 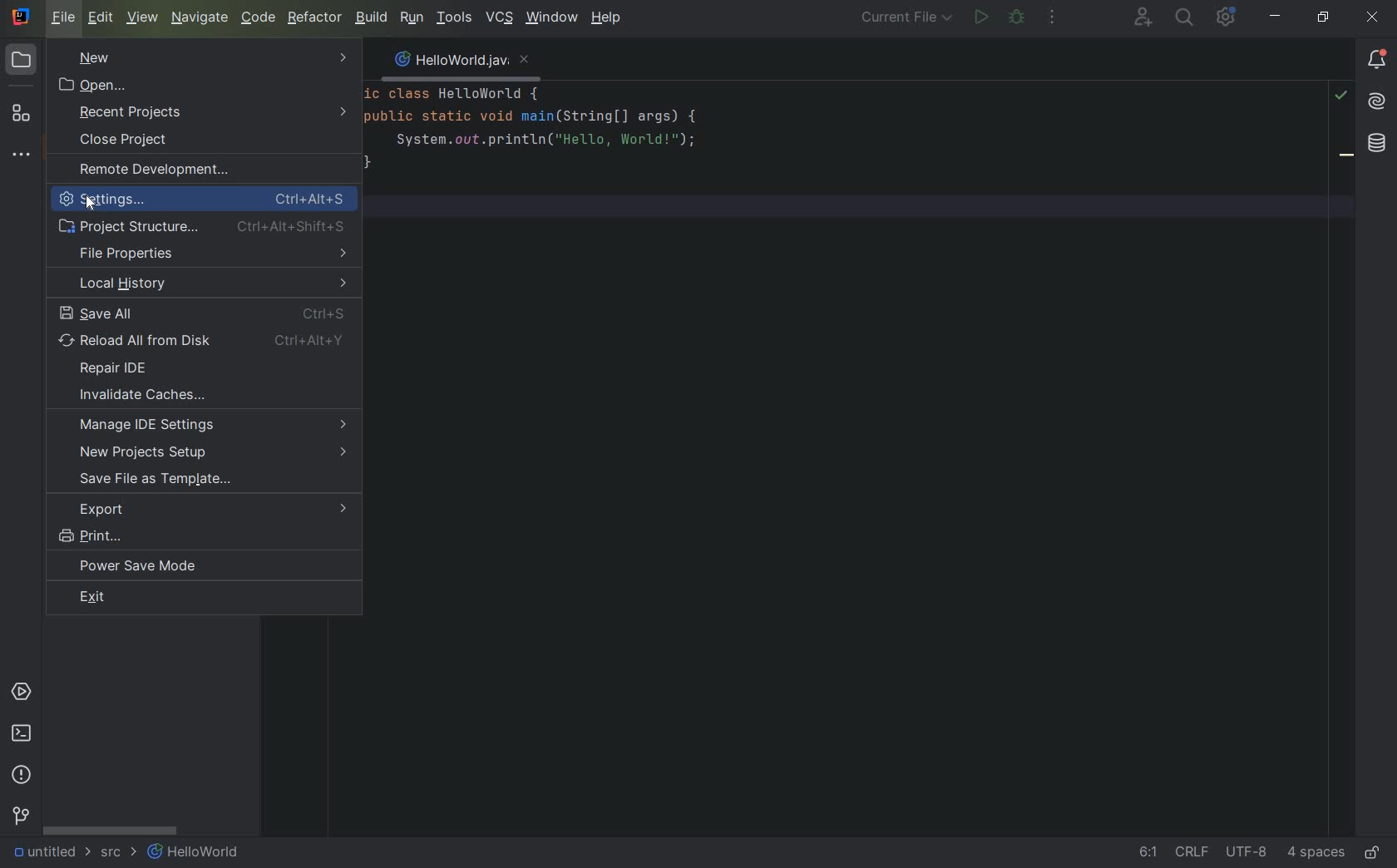 What do you see at coordinates (18, 816) in the screenshot?
I see `VERSION CONTROL` at bounding box center [18, 816].